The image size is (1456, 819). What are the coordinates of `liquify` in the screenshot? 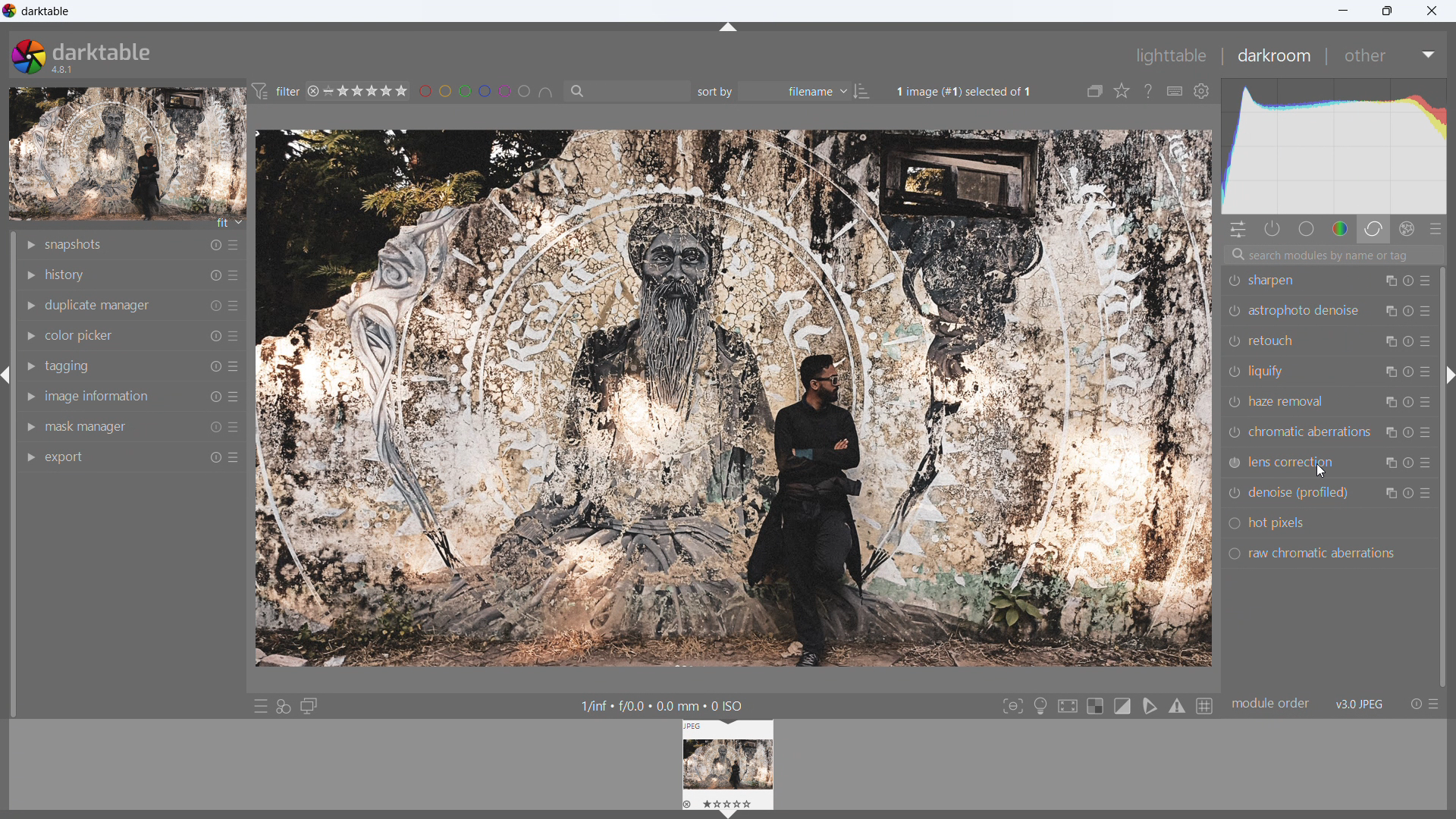 It's located at (1265, 372).